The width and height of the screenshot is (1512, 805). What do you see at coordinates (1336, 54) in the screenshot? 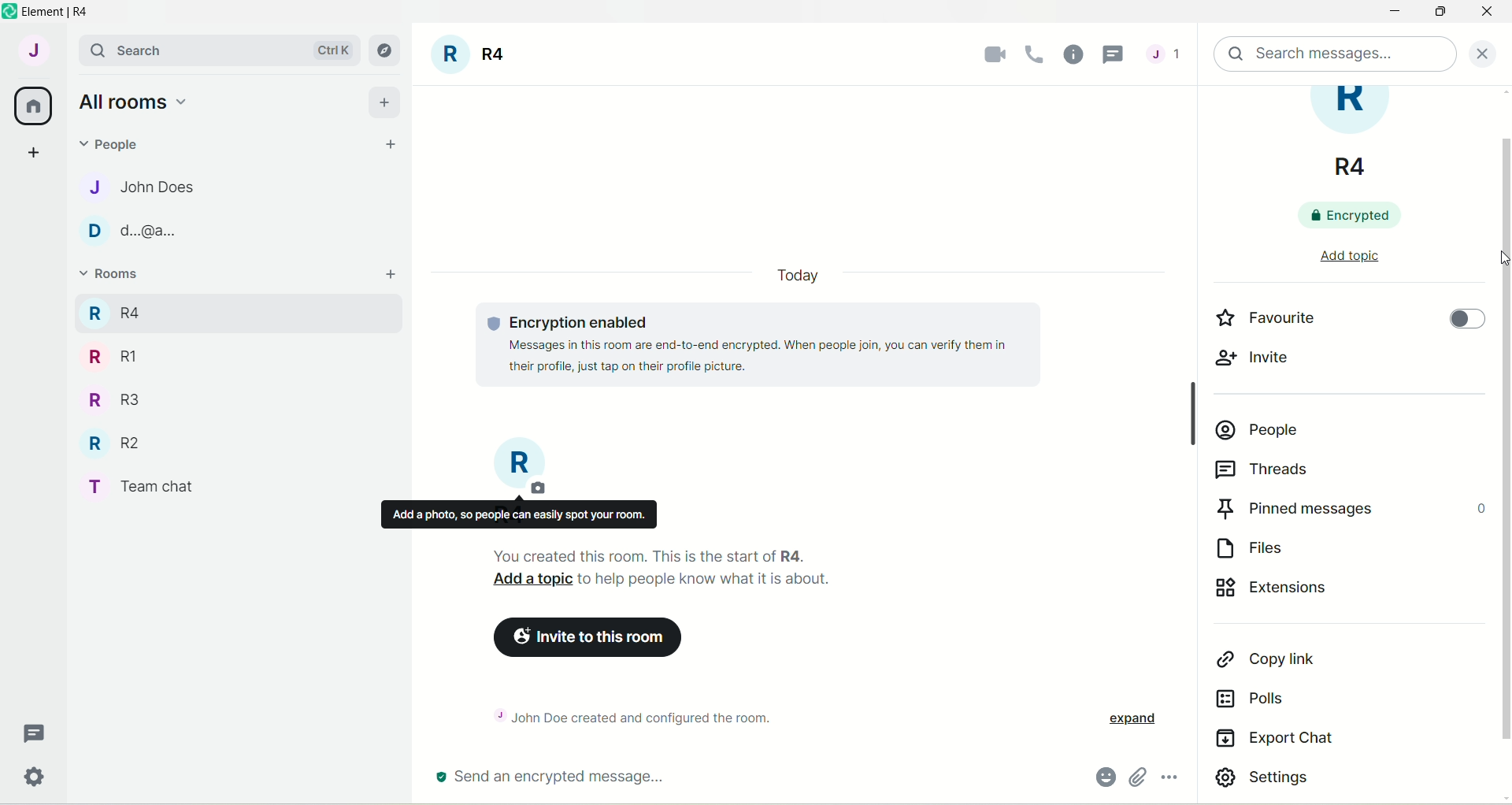
I see `search message` at bounding box center [1336, 54].